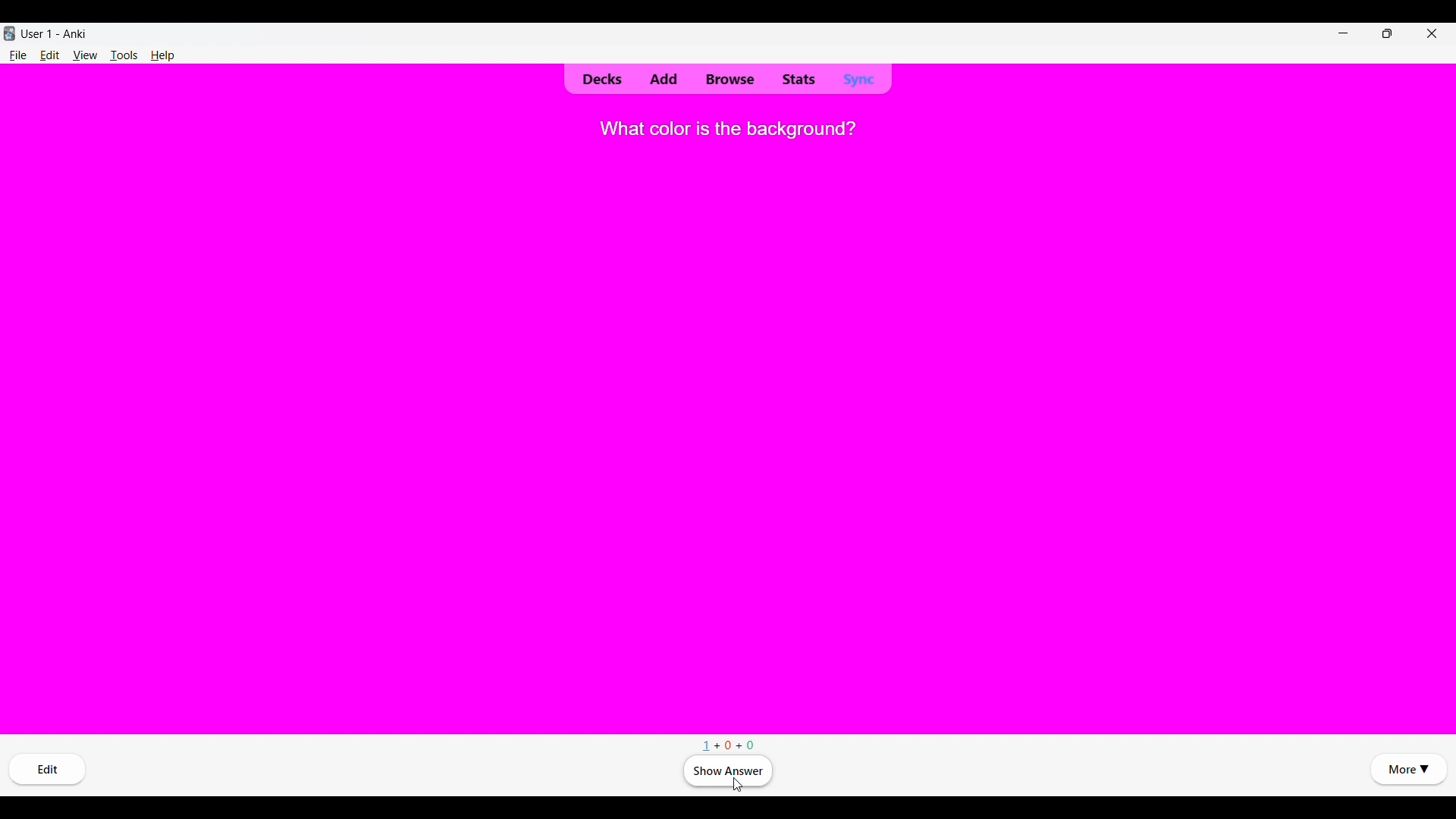 This screenshot has width=1456, height=819. Describe the element at coordinates (163, 55) in the screenshot. I see `Help menu` at that location.